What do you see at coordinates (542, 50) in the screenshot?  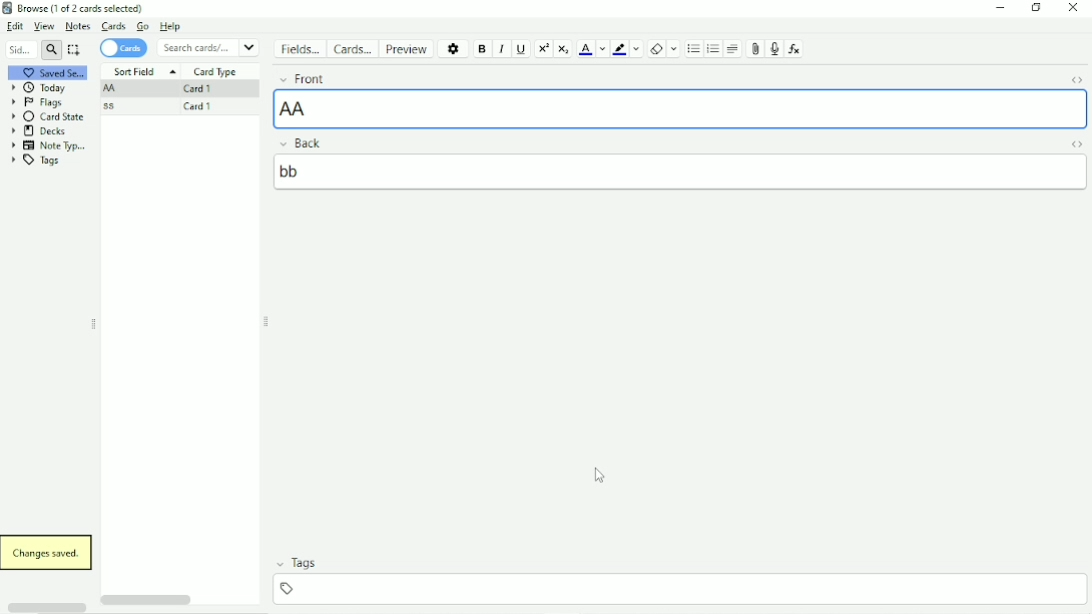 I see `Superscript` at bounding box center [542, 50].